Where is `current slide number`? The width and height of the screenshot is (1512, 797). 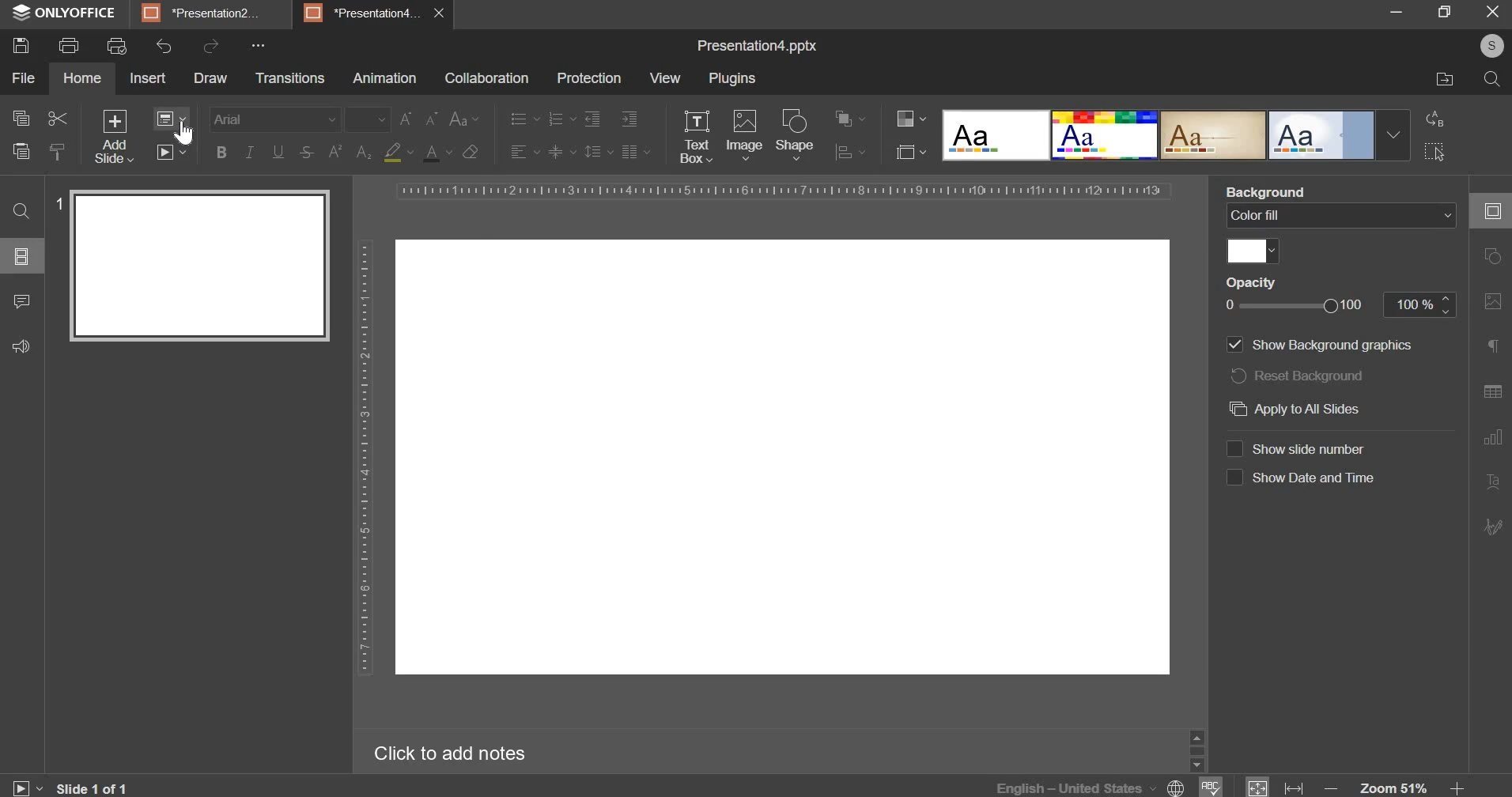
current slide number is located at coordinates (96, 788).